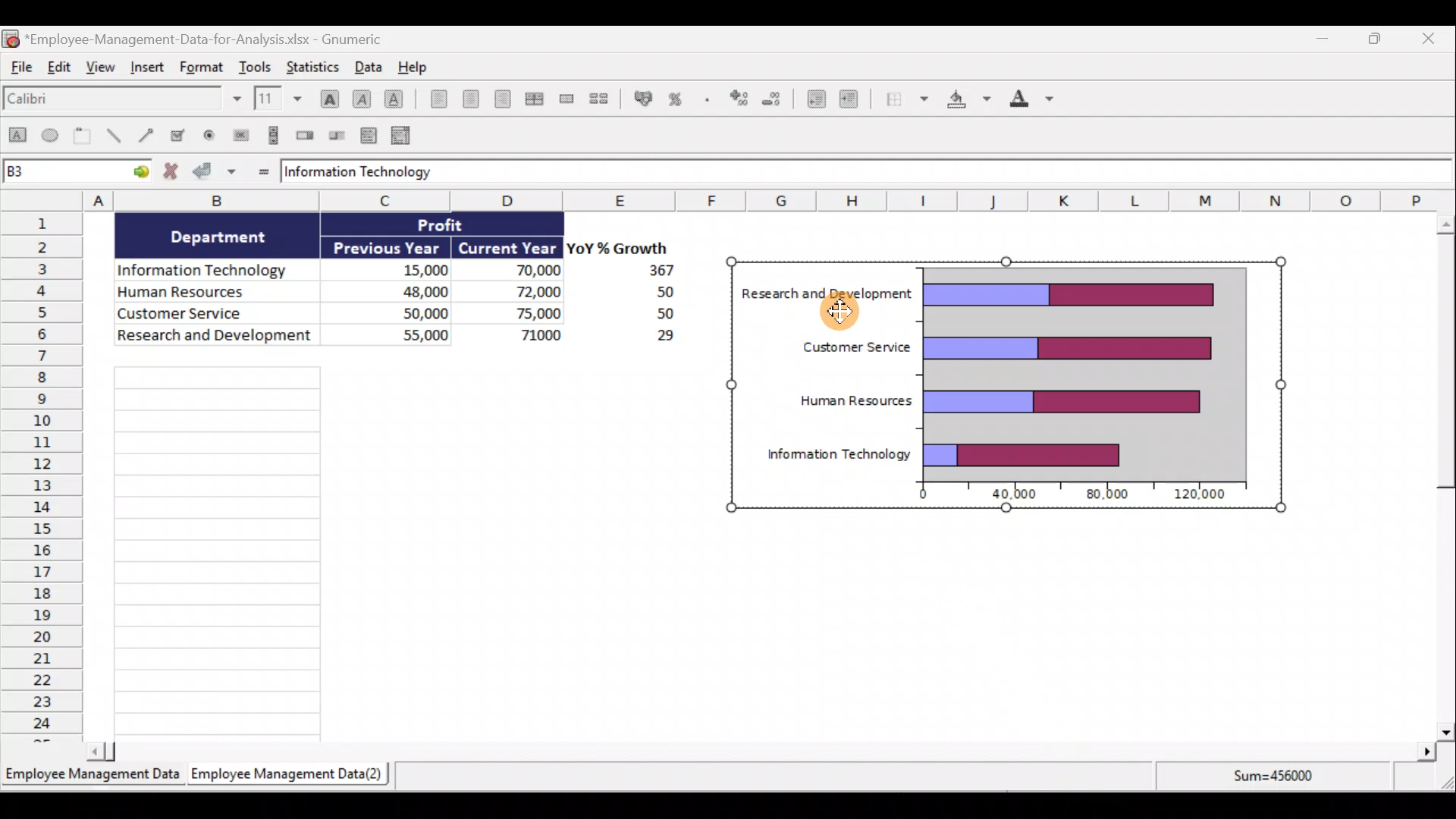  Describe the element at coordinates (388, 245) in the screenshot. I see `Previous Year` at that location.